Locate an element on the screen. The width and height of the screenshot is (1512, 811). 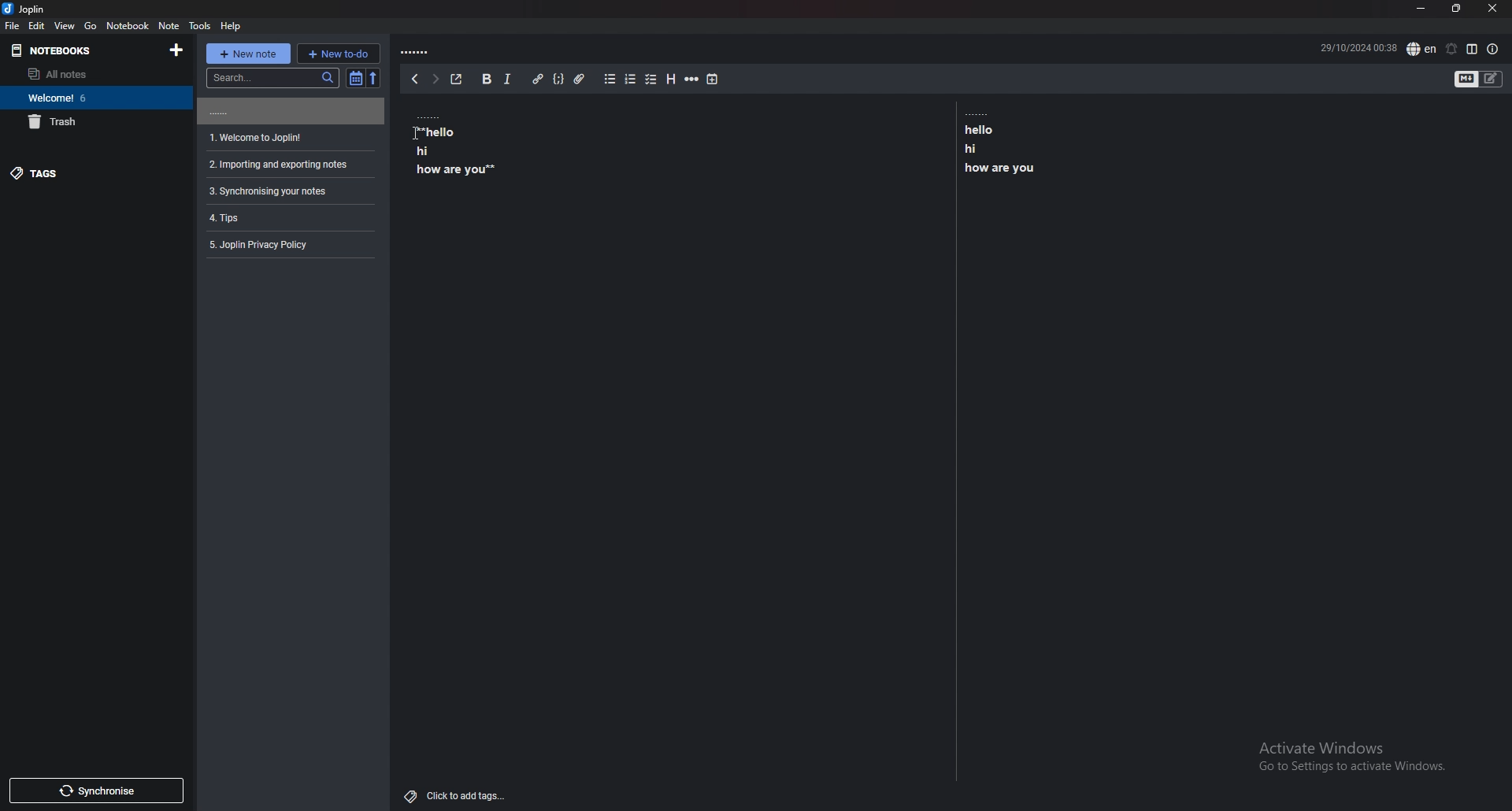
minimize is located at coordinates (1422, 9).